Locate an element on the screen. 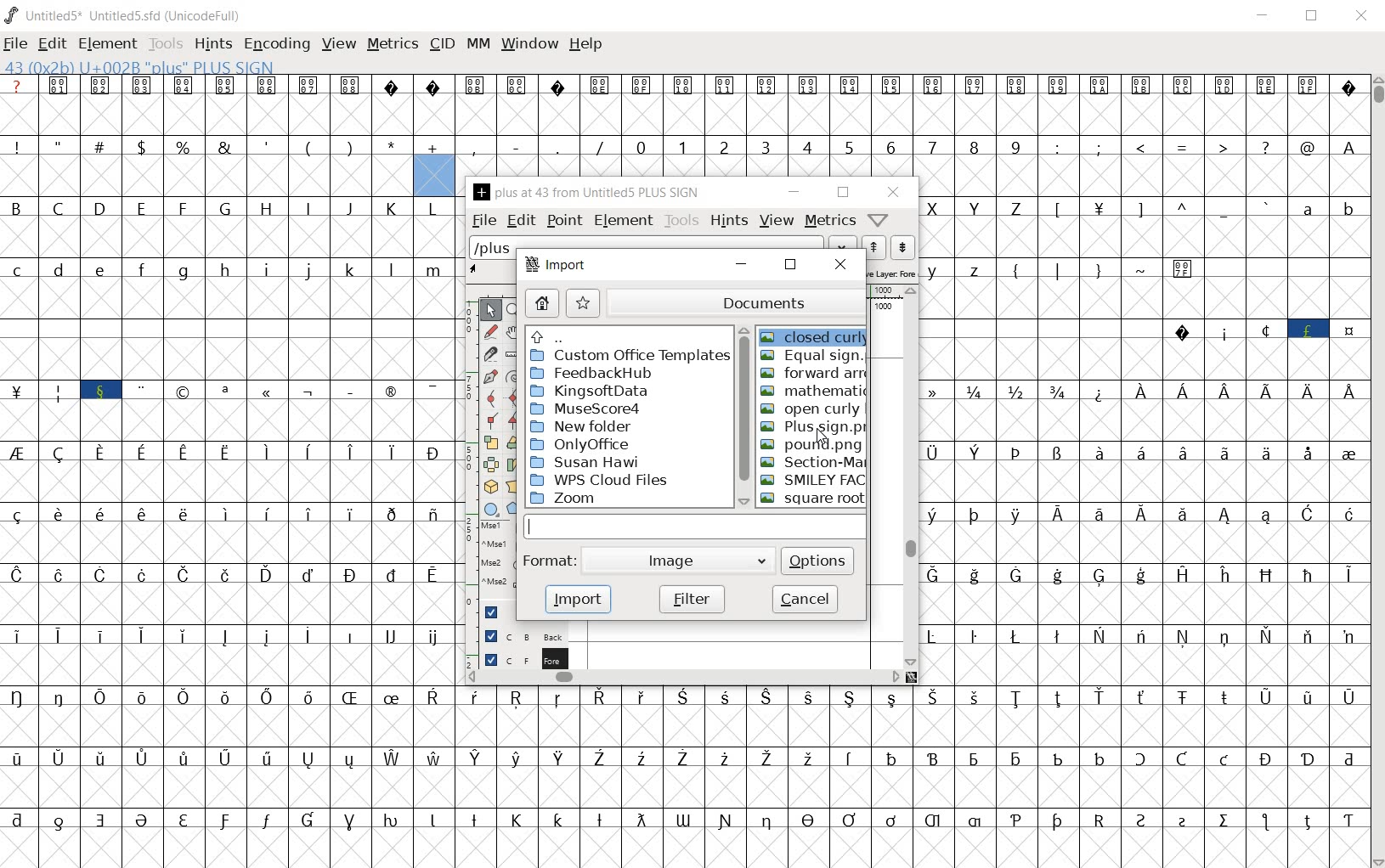 The height and width of the screenshot is (868, 1385). view is located at coordinates (777, 222).